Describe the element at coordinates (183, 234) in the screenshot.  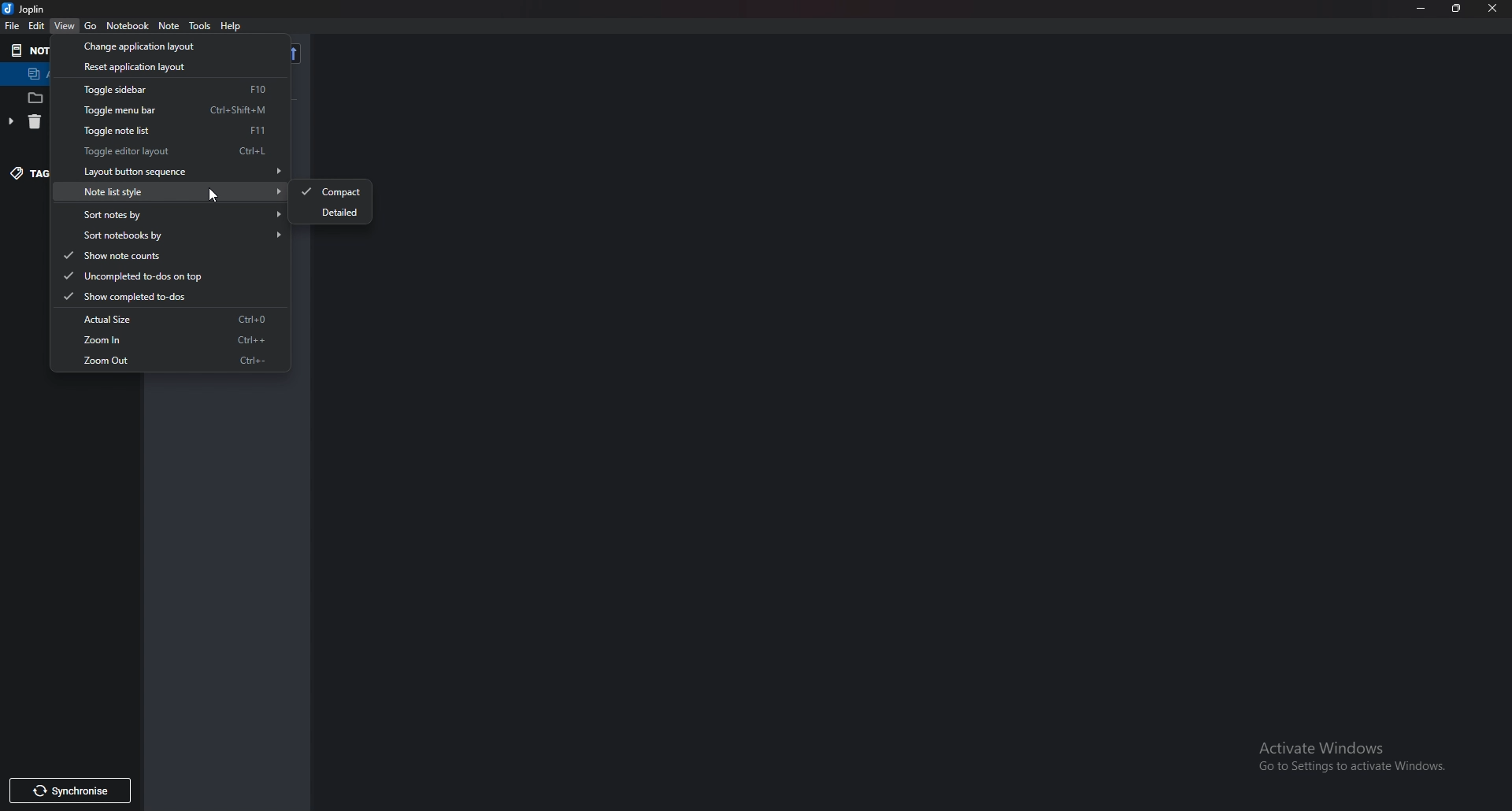
I see `sort notebooks by` at that location.